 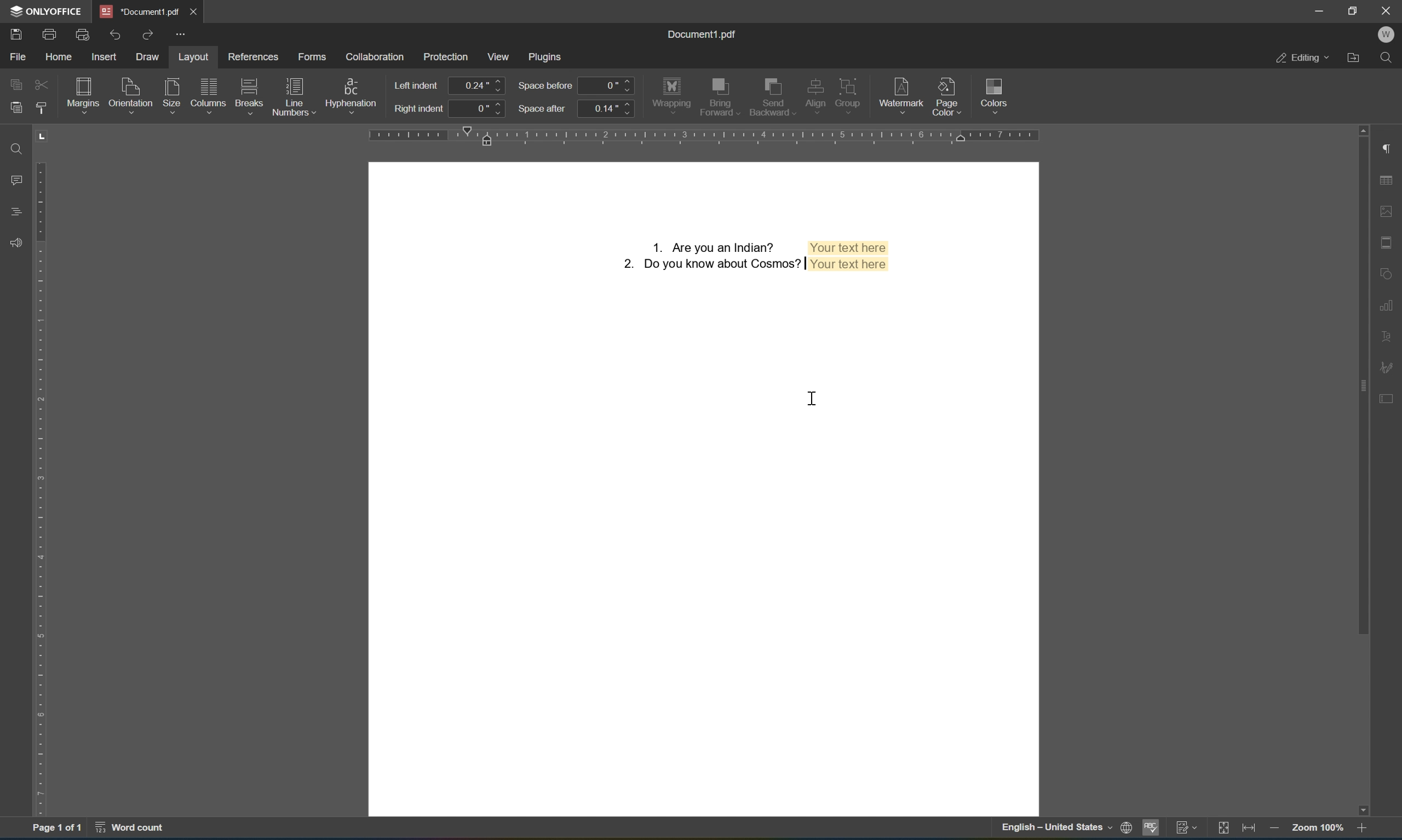 What do you see at coordinates (1152, 829) in the screenshot?
I see `spell checking` at bounding box center [1152, 829].